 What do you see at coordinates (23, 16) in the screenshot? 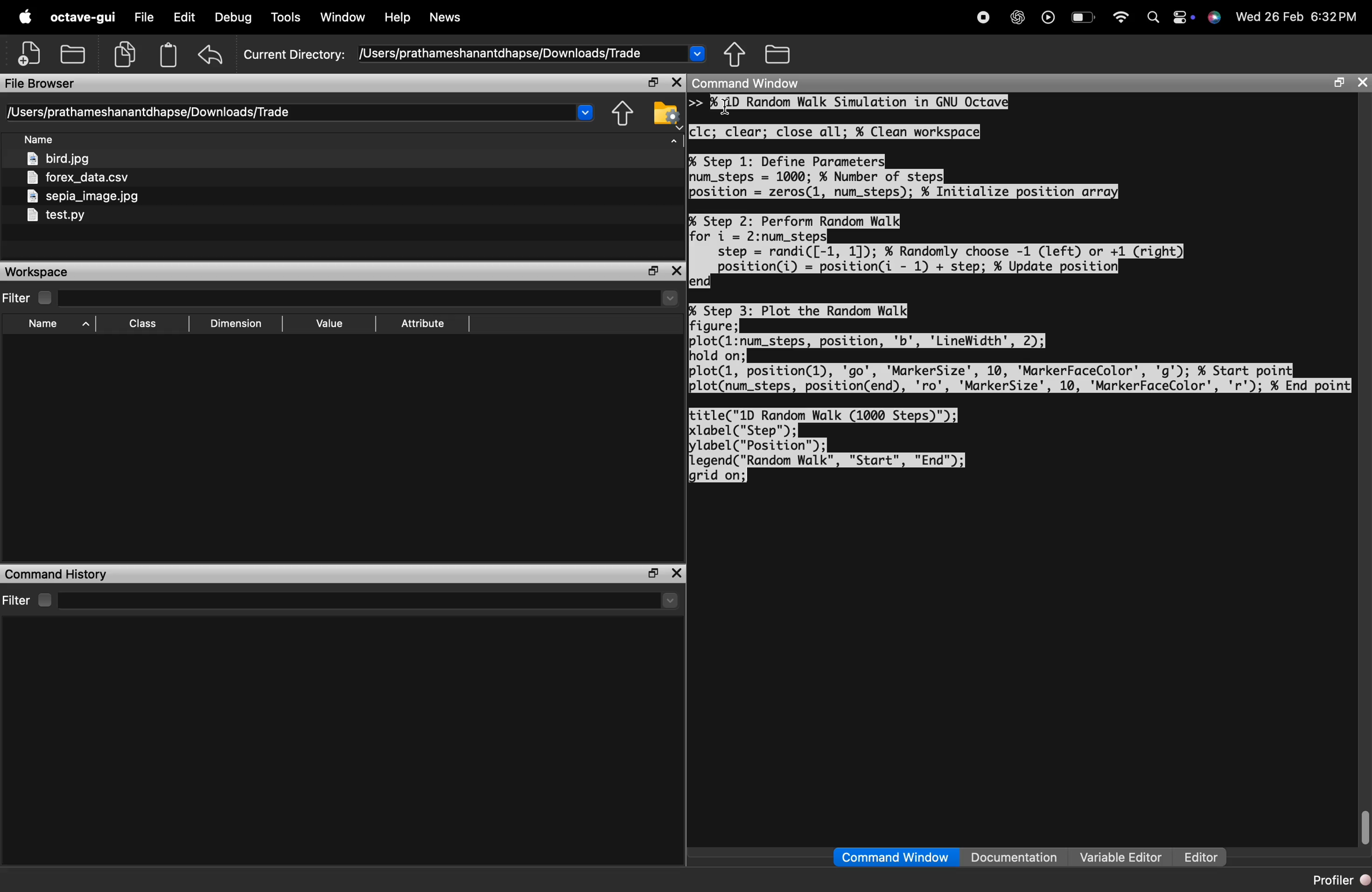
I see `apple logo` at bounding box center [23, 16].